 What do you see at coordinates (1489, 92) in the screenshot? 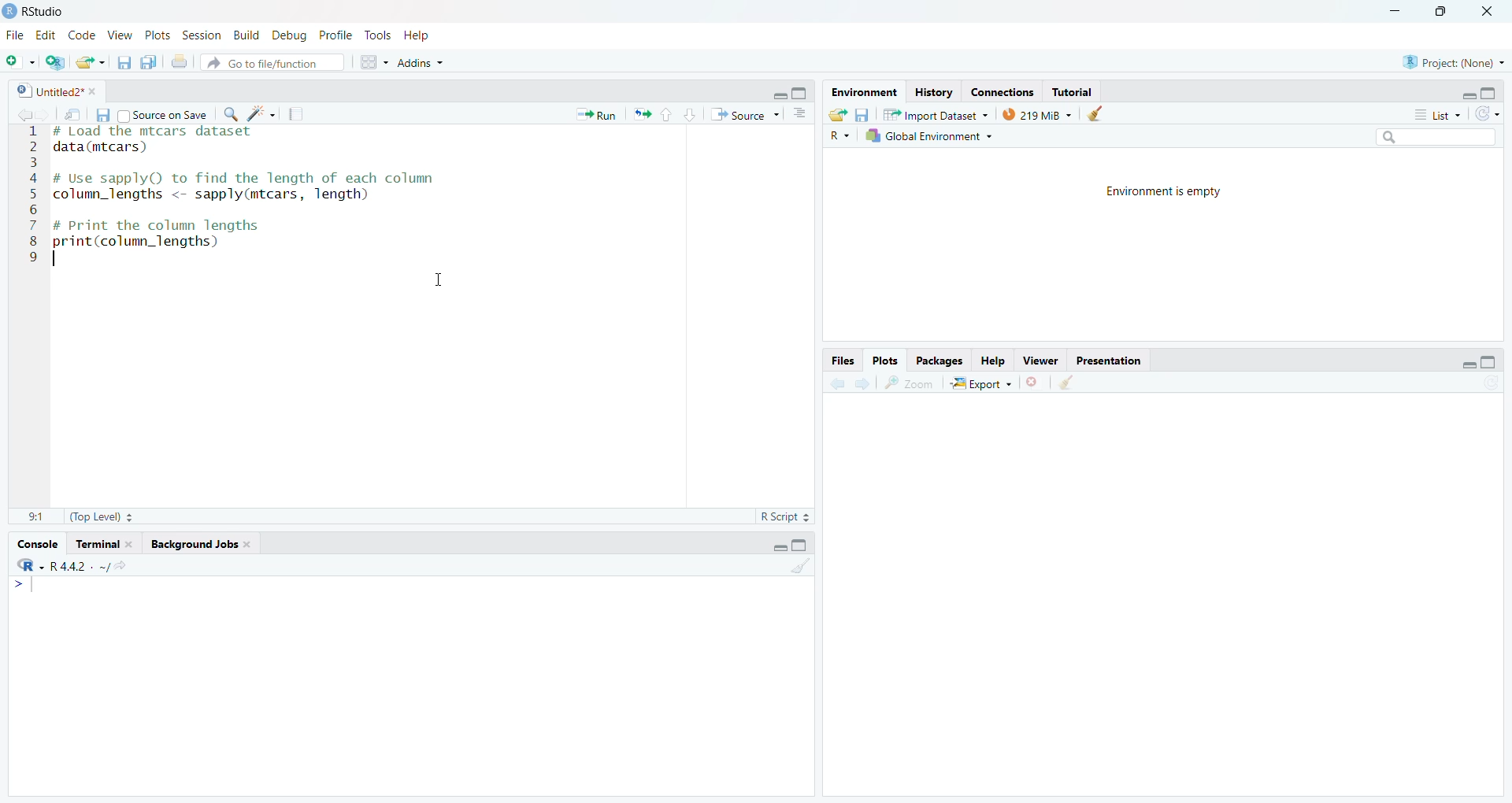
I see `Full Height` at bounding box center [1489, 92].